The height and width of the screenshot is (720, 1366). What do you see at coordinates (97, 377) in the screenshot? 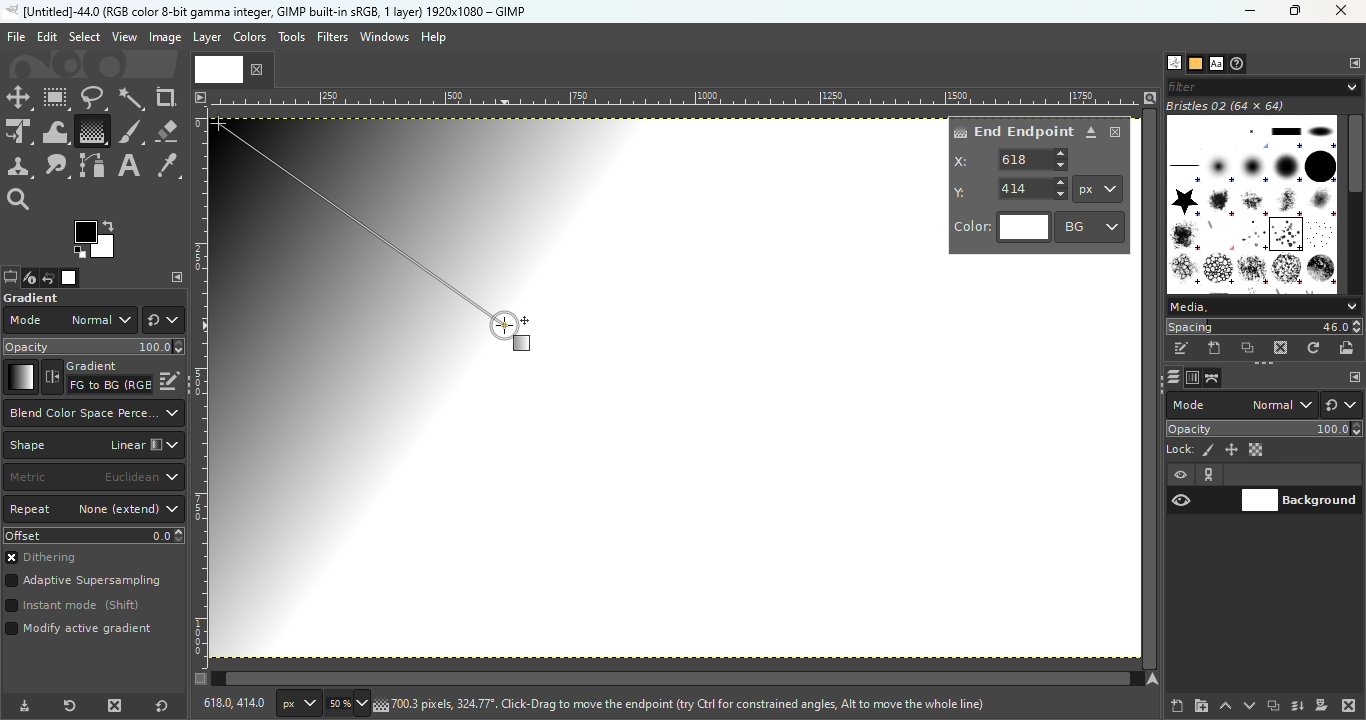
I see `Reverse` at bounding box center [97, 377].